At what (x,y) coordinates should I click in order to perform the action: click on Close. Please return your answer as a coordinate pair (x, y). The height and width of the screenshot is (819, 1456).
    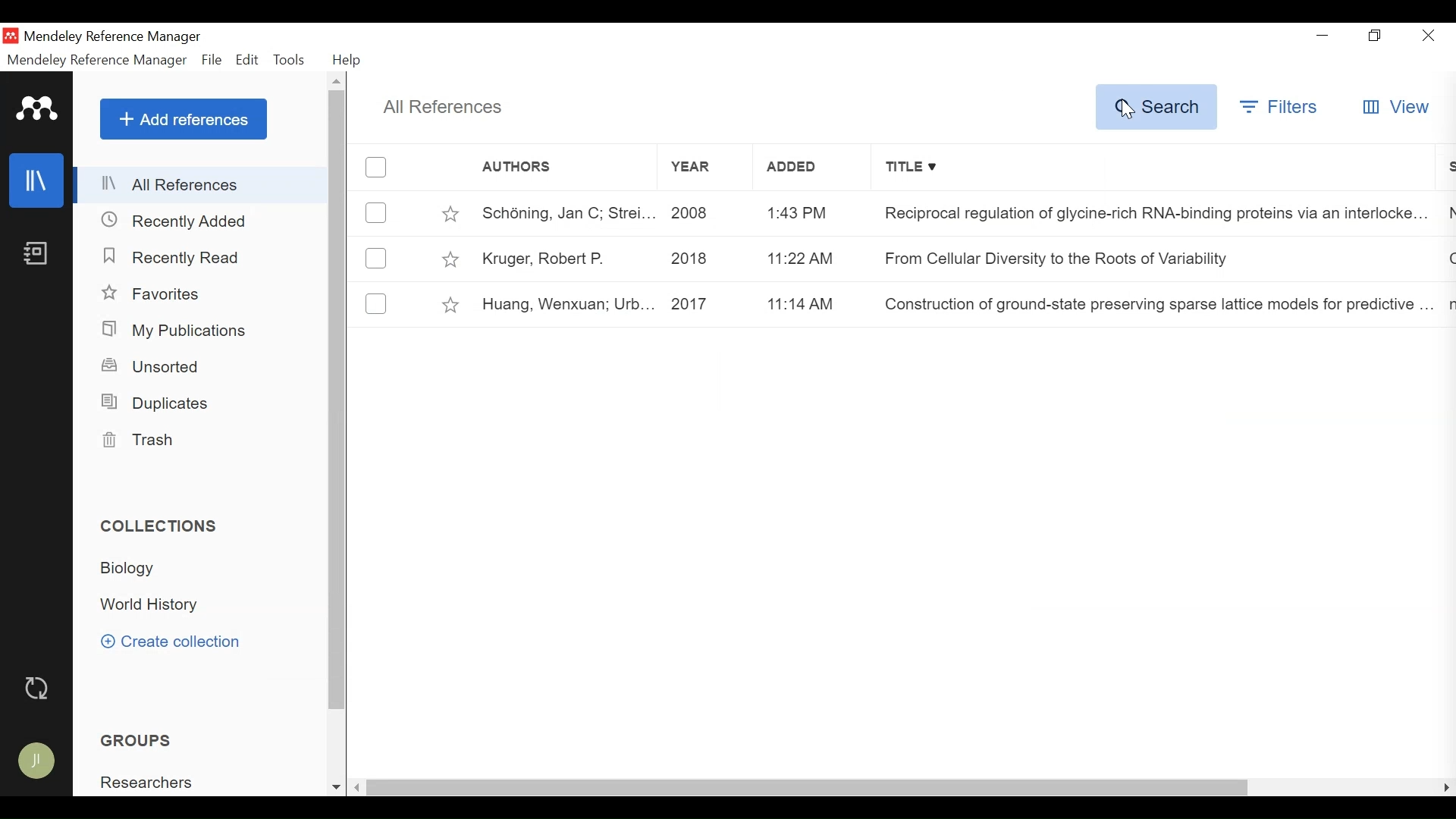
    Looking at the image, I should click on (1429, 35).